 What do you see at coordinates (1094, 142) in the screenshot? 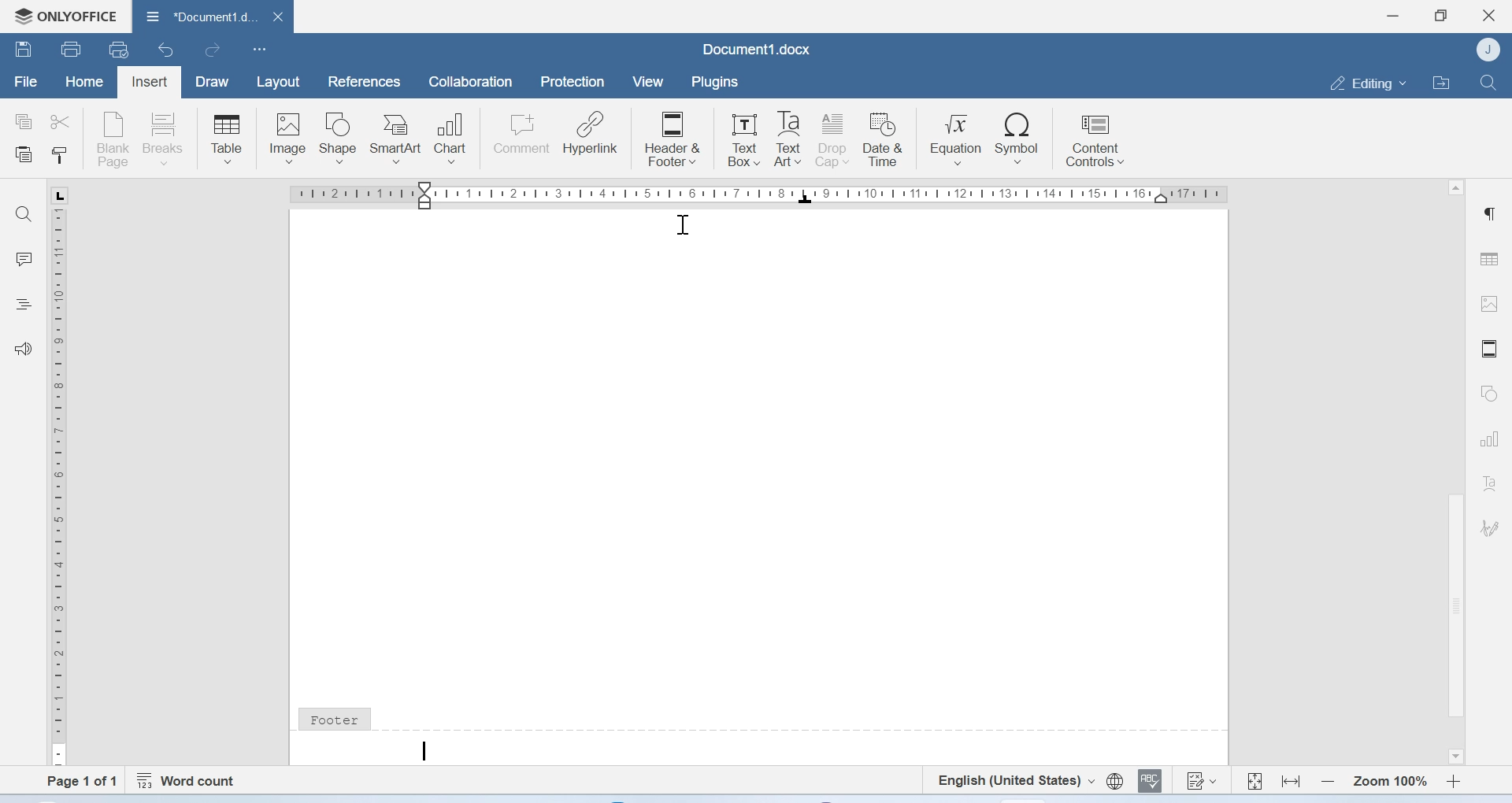
I see `Content controls` at bounding box center [1094, 142].